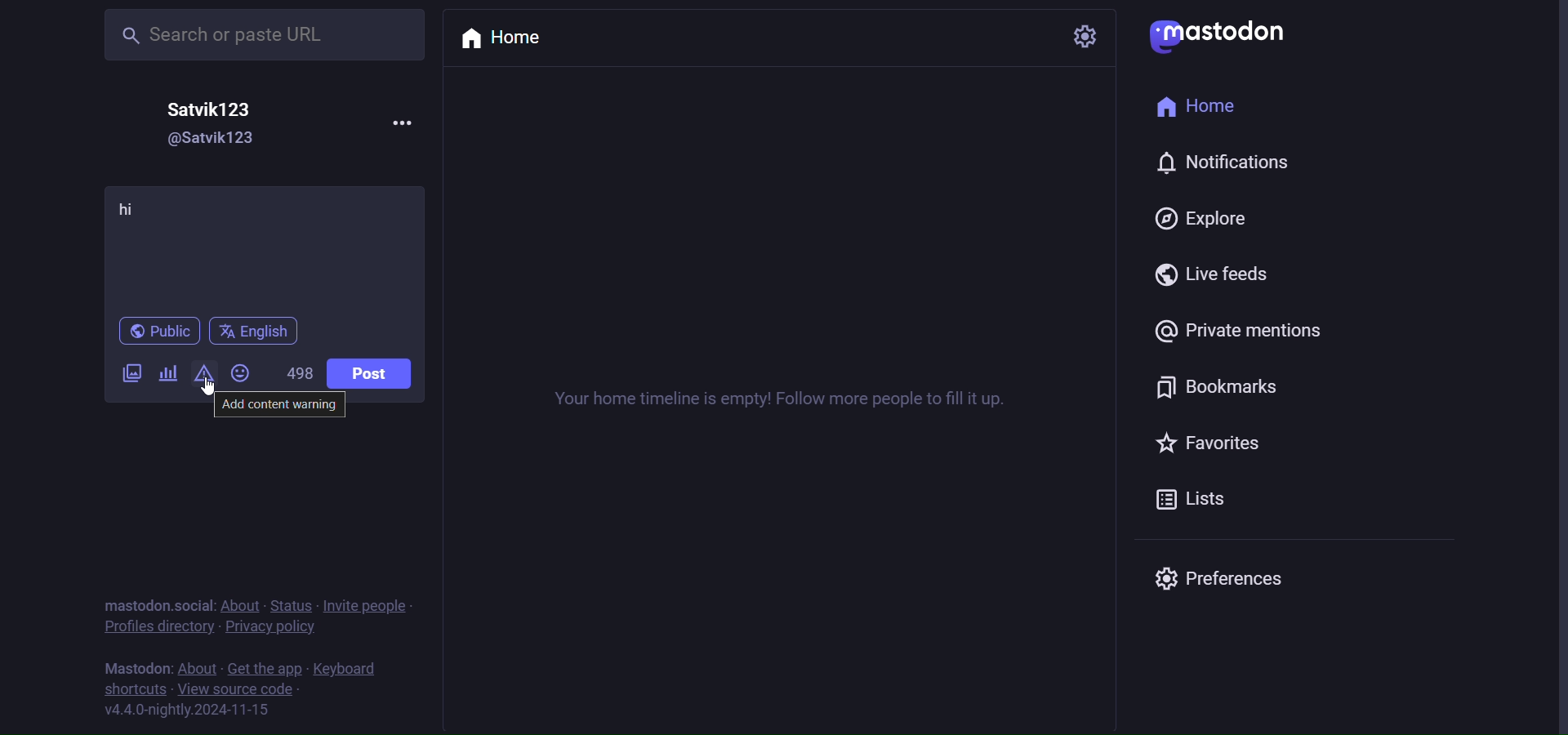 The width and height of the screenshot is (1568, 735). I want to click on mastodon, so click(1222, 33).